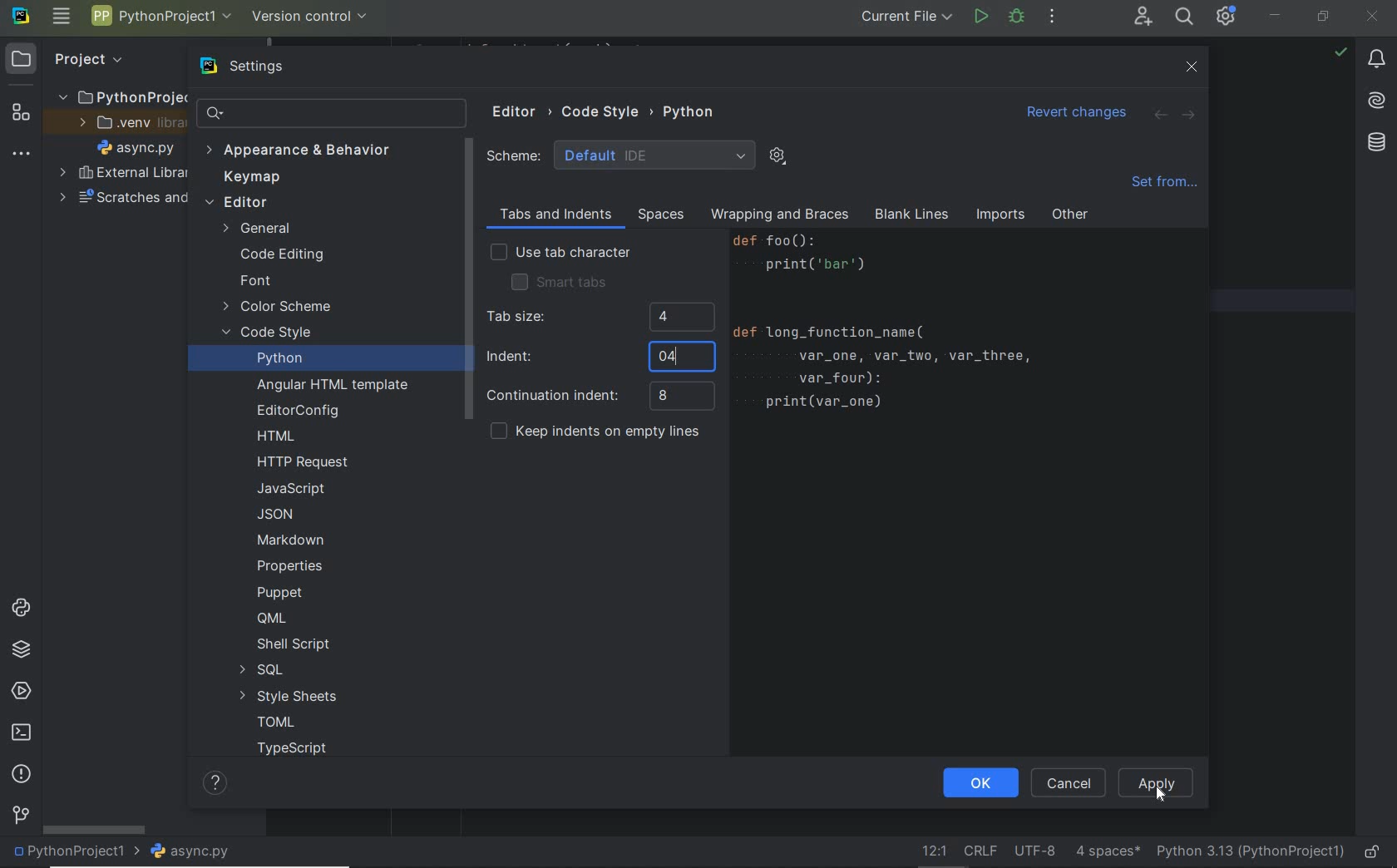  Describe the element at coordinates (63, 16) in the screenshot. I see `main menu` at that location.